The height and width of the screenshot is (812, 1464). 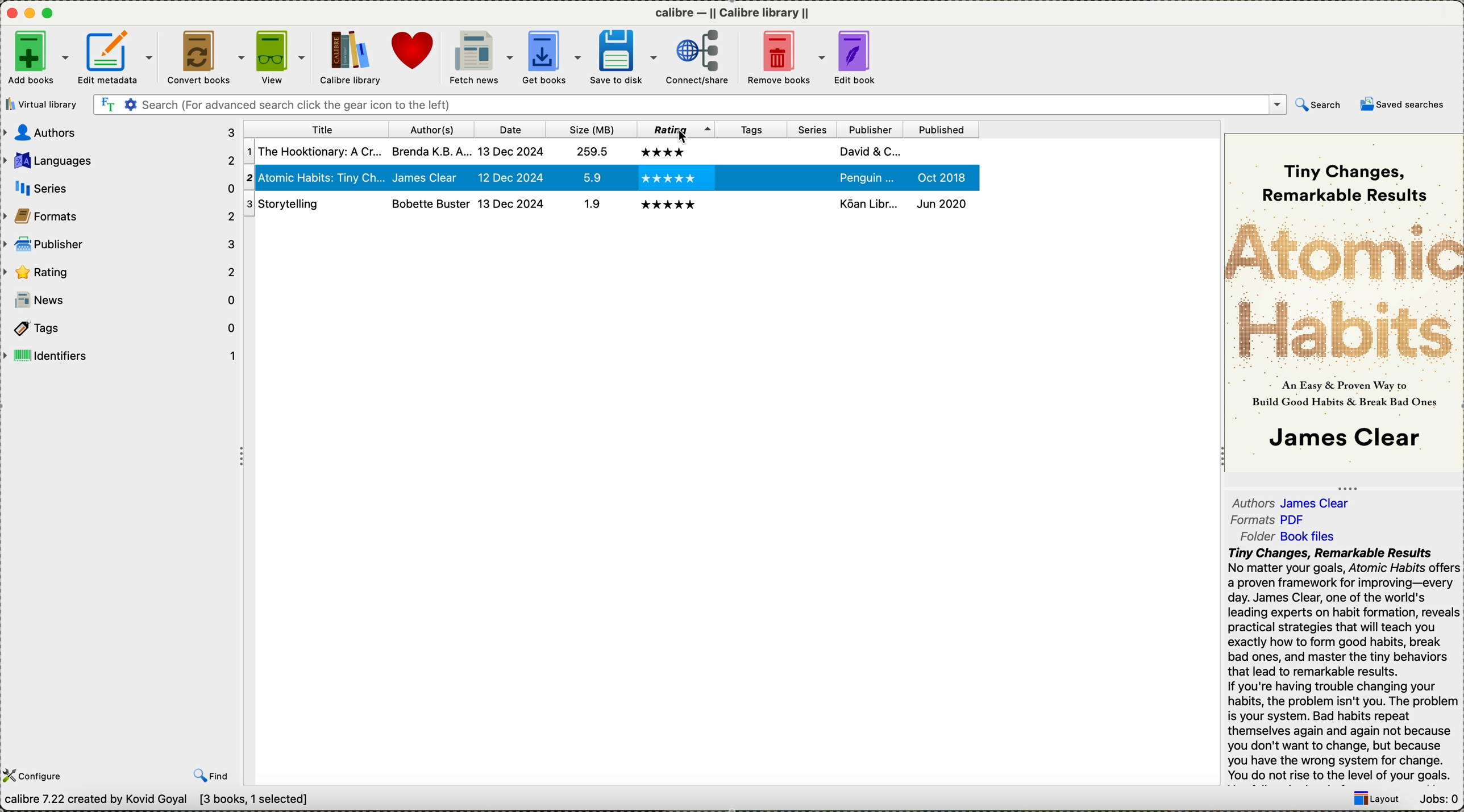 I want to click on 5.9, so click(x=589, y=151).